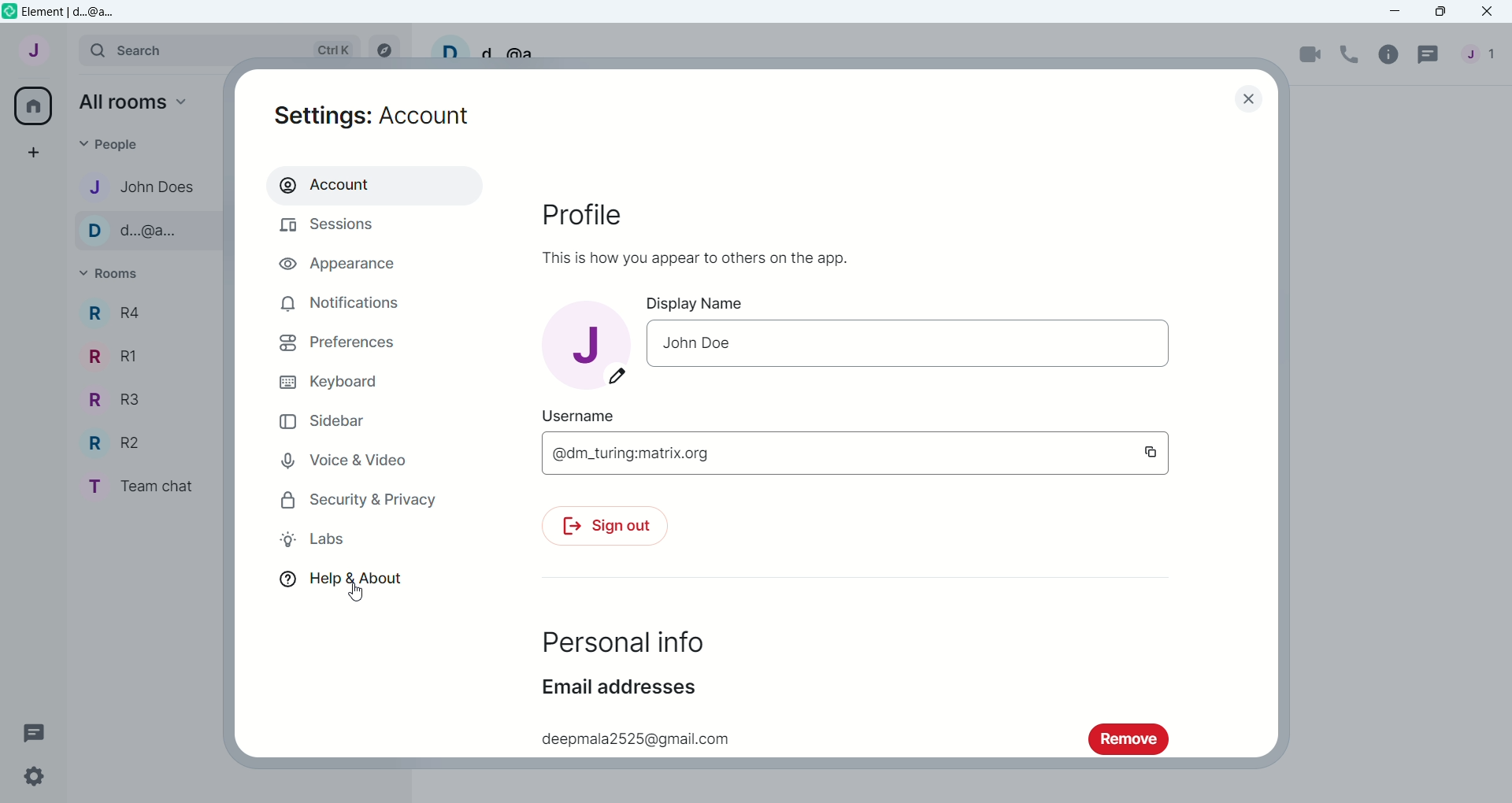  What do you see at coordinates (338, 343) in the screenshot?
I see `Preferences` at bounding box center [338, 343].